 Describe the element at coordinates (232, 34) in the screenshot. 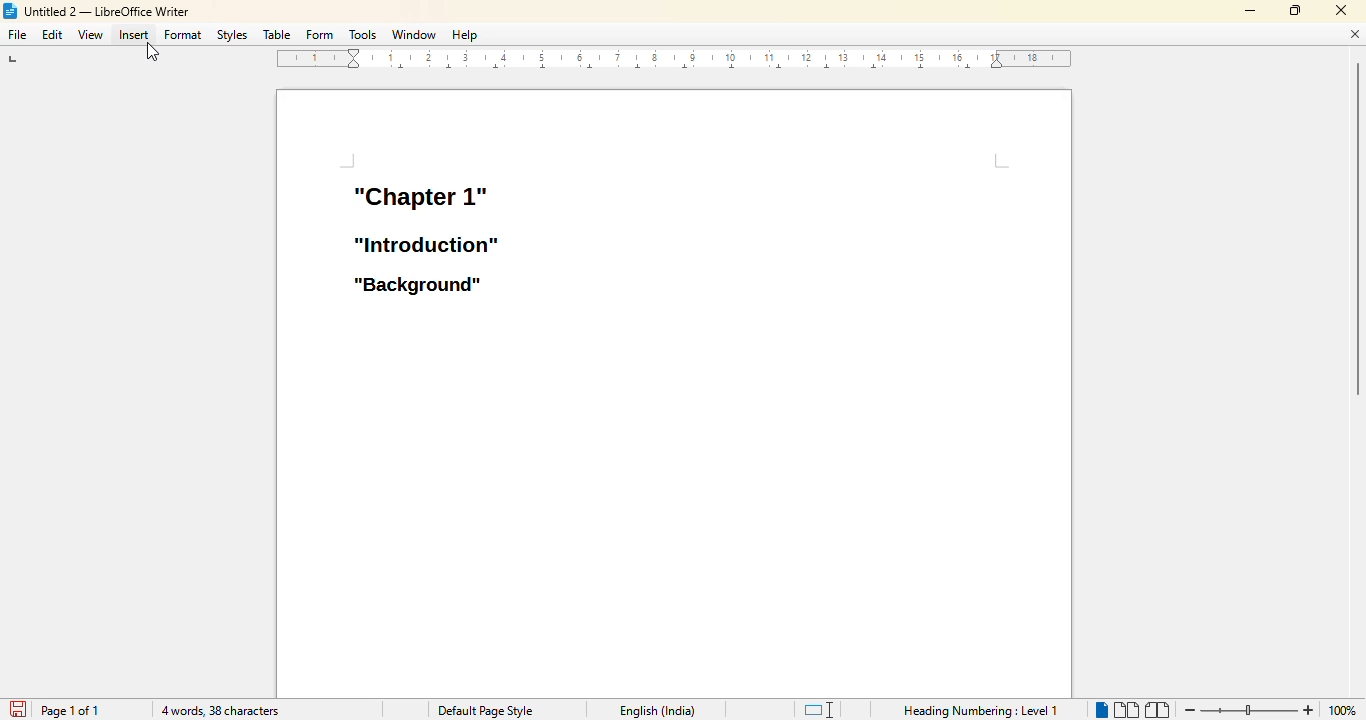

I see `styles` at that location.